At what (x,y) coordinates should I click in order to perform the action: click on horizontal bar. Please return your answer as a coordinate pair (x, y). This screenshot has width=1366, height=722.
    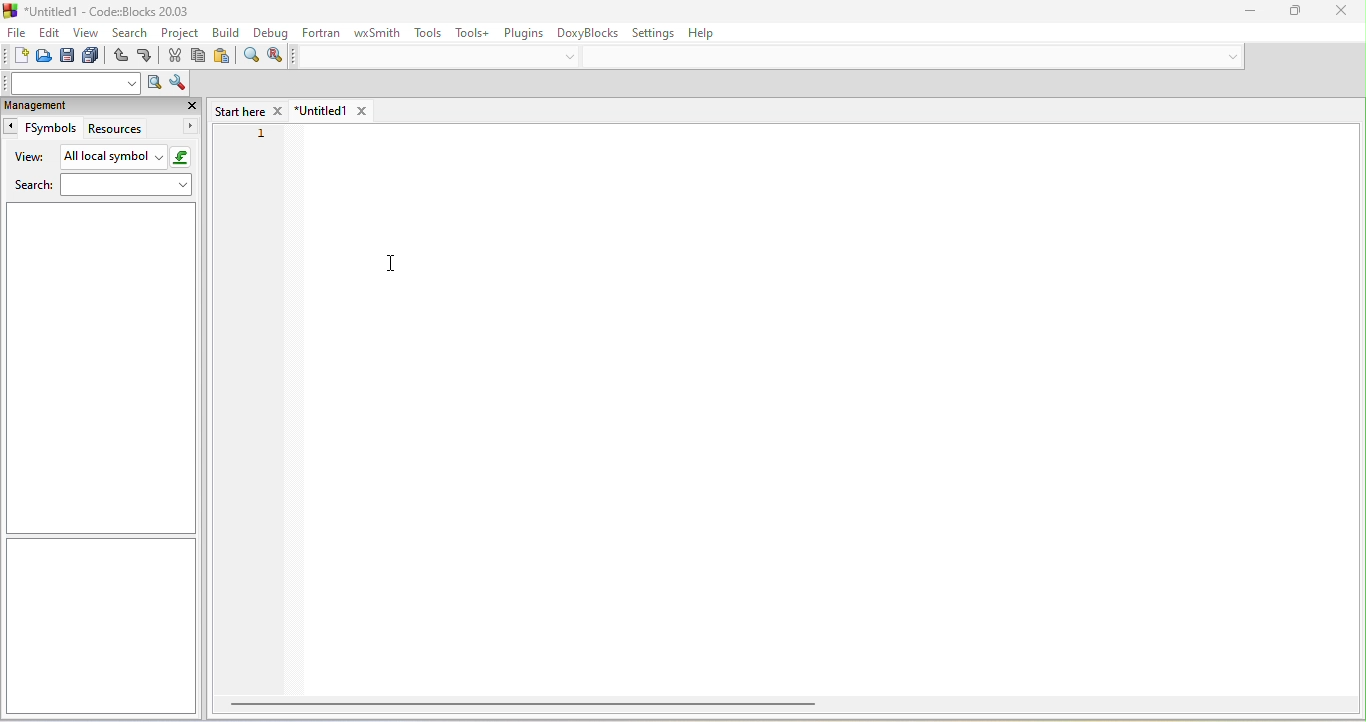
    Looking at the image, I should click on (528, 704).